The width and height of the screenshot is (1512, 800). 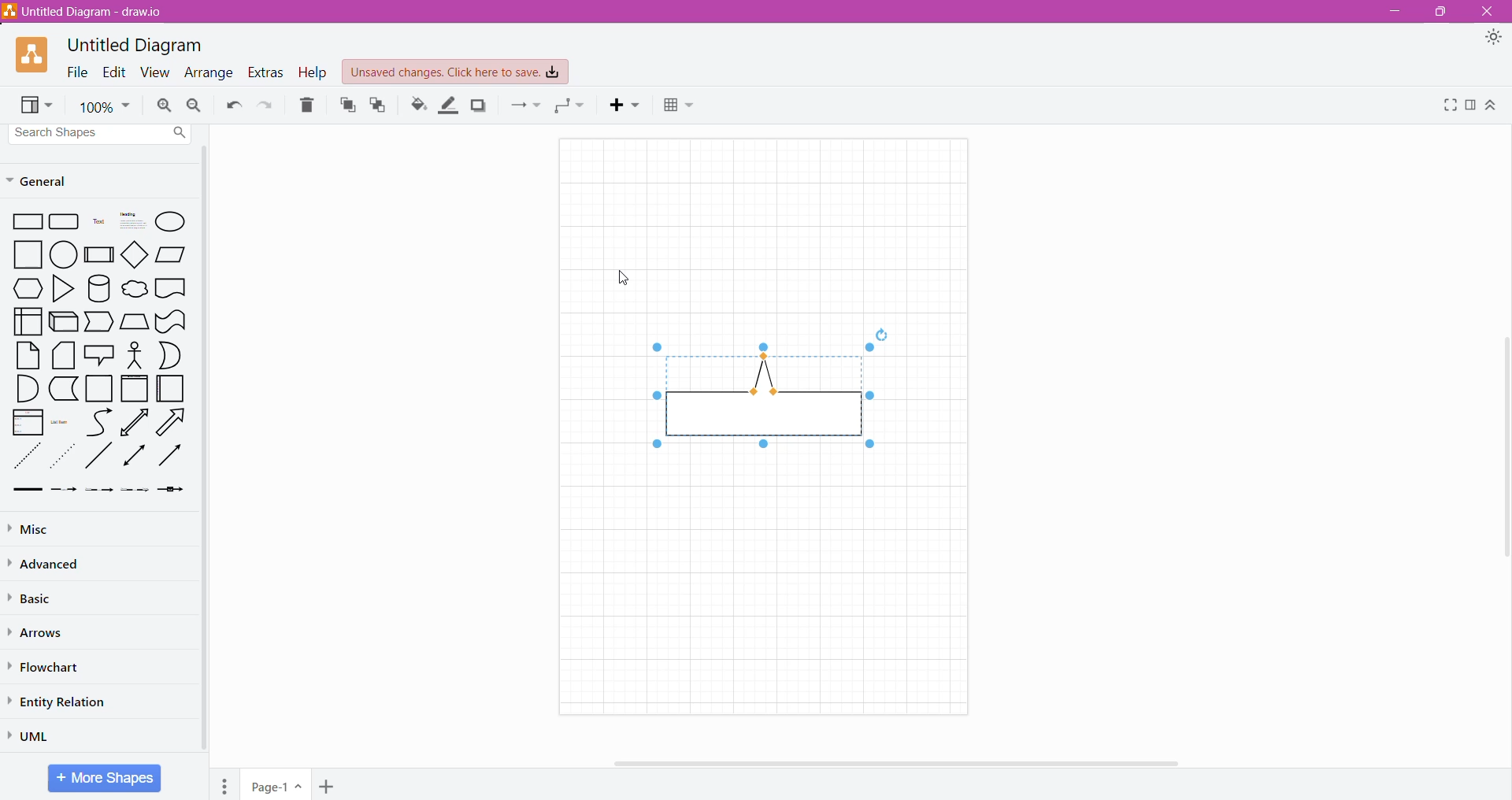 What do you see at coordinates (573, 106) in the screenshot?
I see `Waypoints` at bounding box center [573, 106].